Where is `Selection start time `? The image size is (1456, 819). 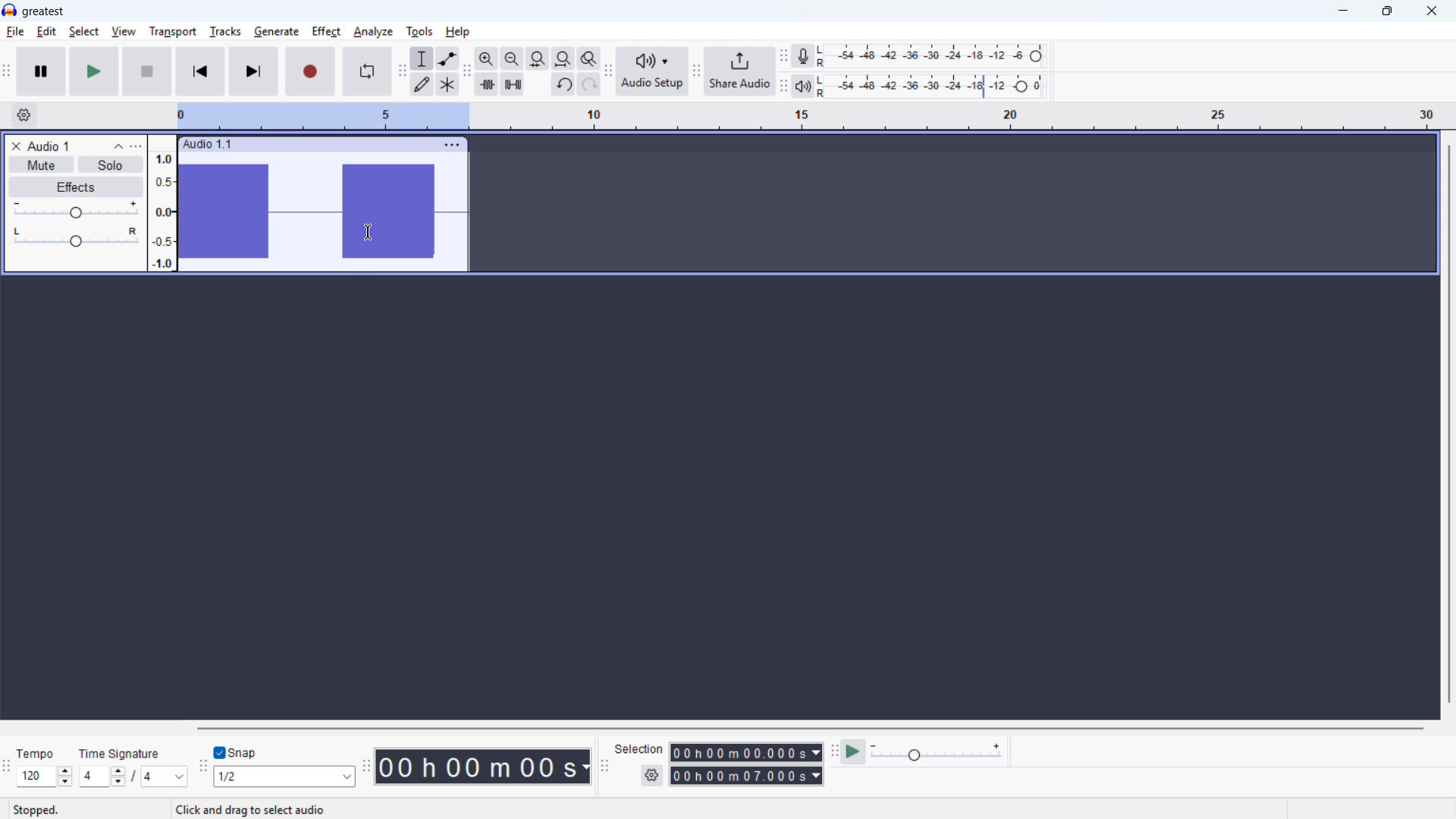 Selection start time  is located at coordinates (747, 754).